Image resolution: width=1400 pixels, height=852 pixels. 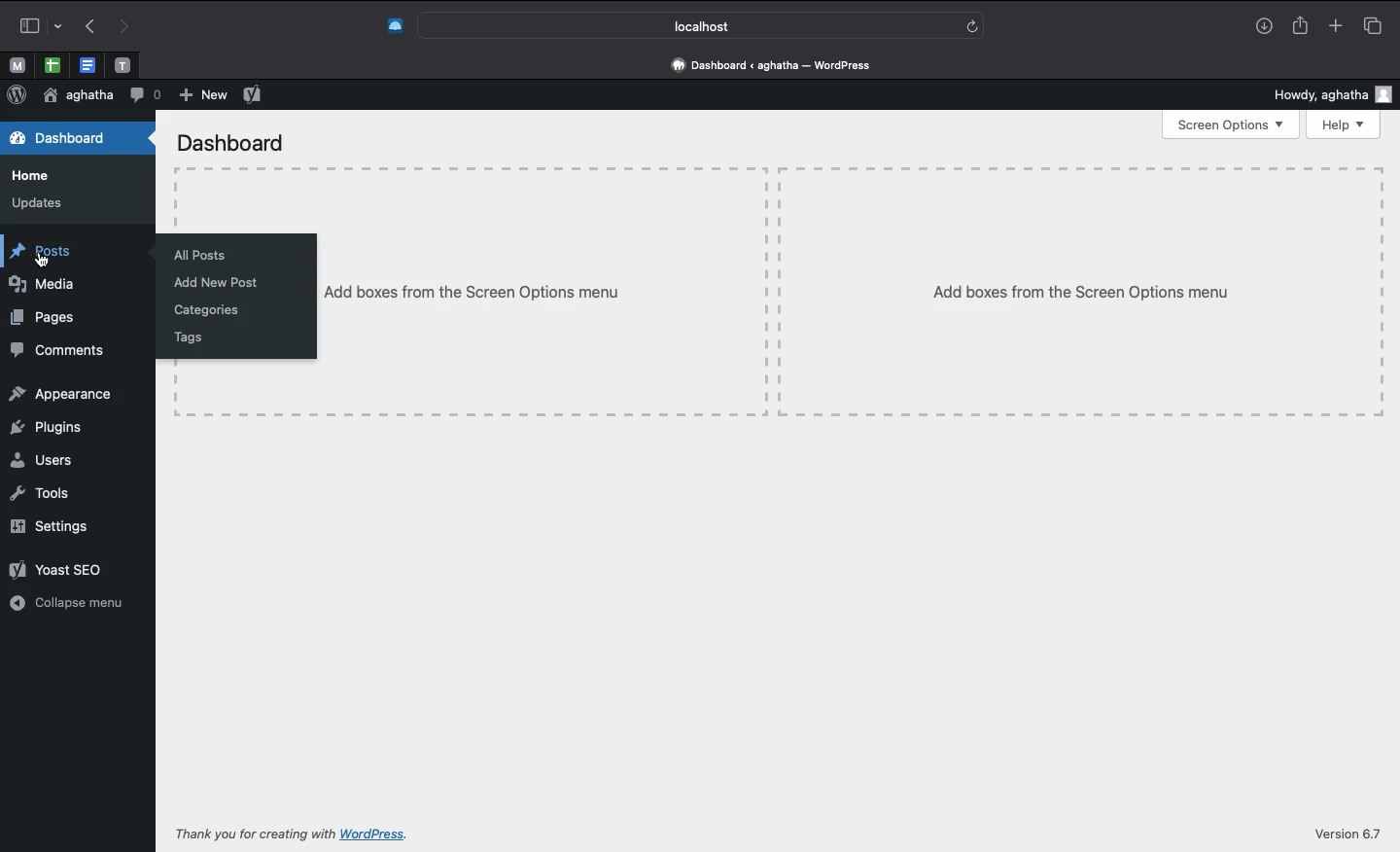 What do you see at coordinates (1302, 26) in the screenshot?
I see `Share` at bounding box center [1302, 26].